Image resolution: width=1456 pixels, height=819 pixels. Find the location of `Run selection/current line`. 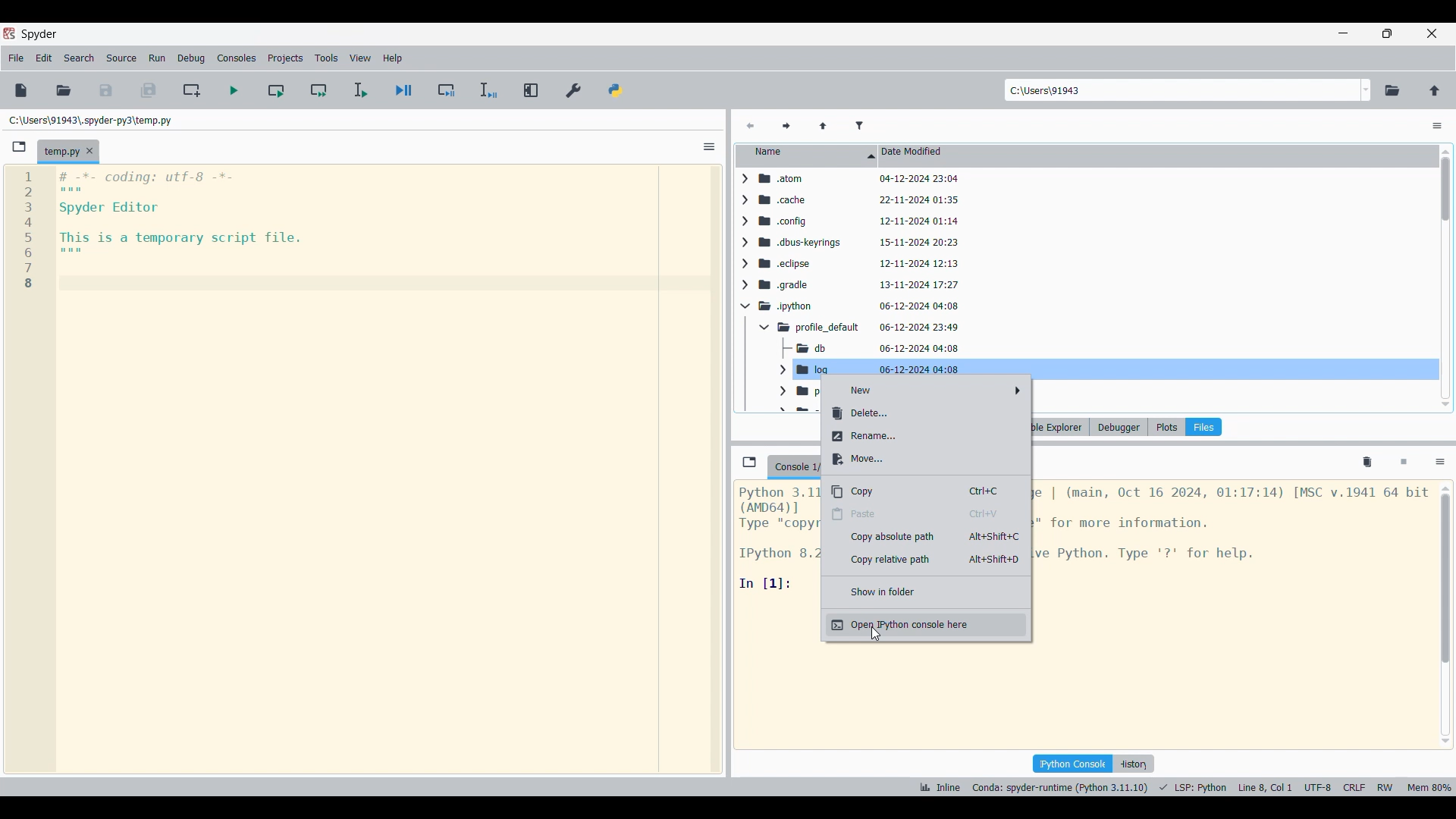

Run selection/current line is located at coordinates (360, 90).